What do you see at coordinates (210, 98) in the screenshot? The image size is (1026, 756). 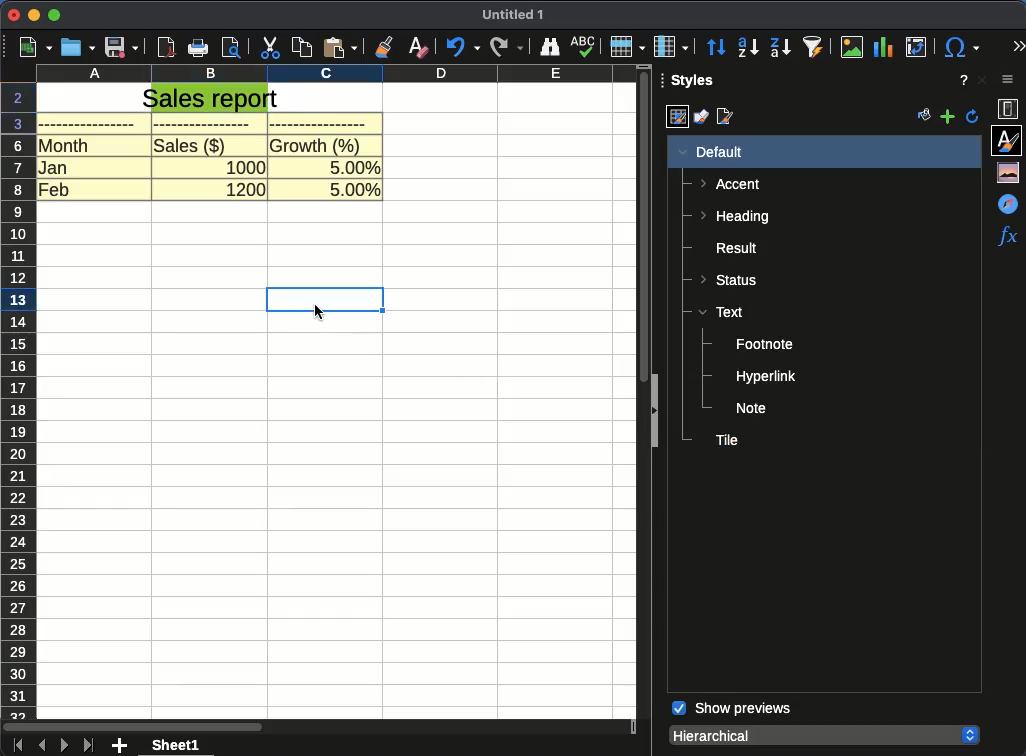 I see `Sales report - title style` at bounding box center [210, 98].